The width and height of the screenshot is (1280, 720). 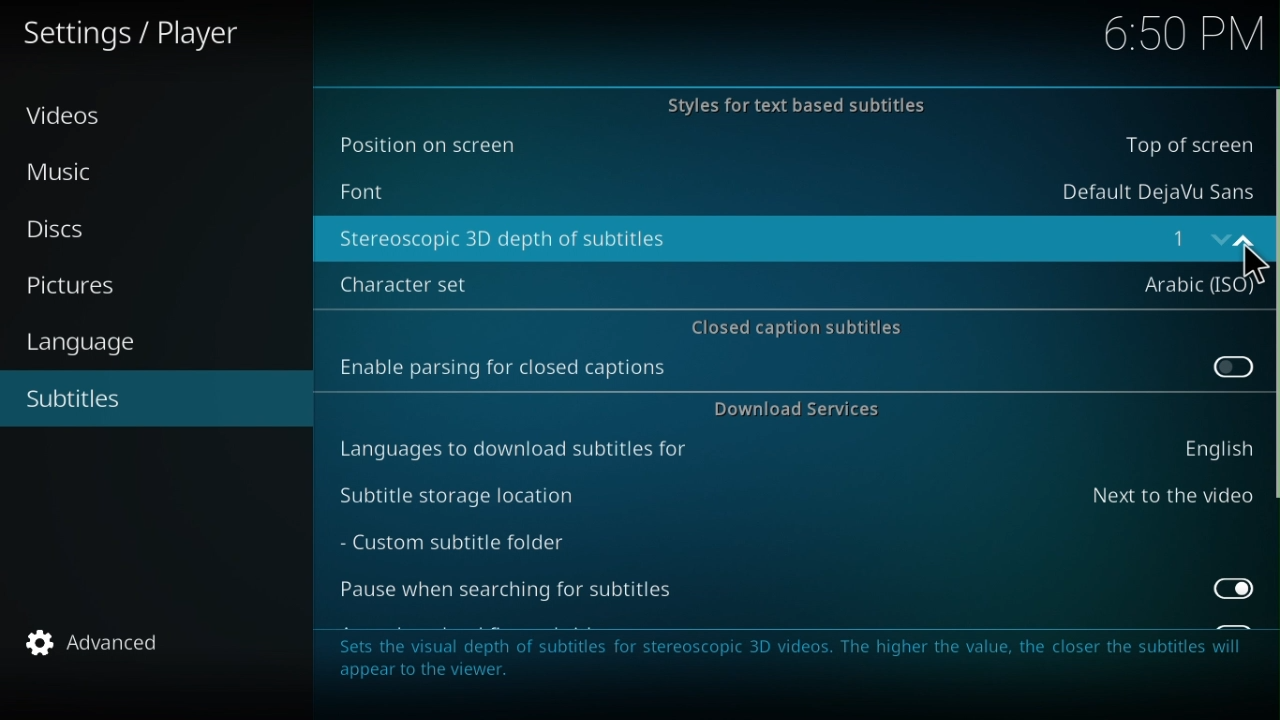 What do you see at coordinates (101, 646) in the screenshot?
I see `Advanced` at bounding box center [101, 646].